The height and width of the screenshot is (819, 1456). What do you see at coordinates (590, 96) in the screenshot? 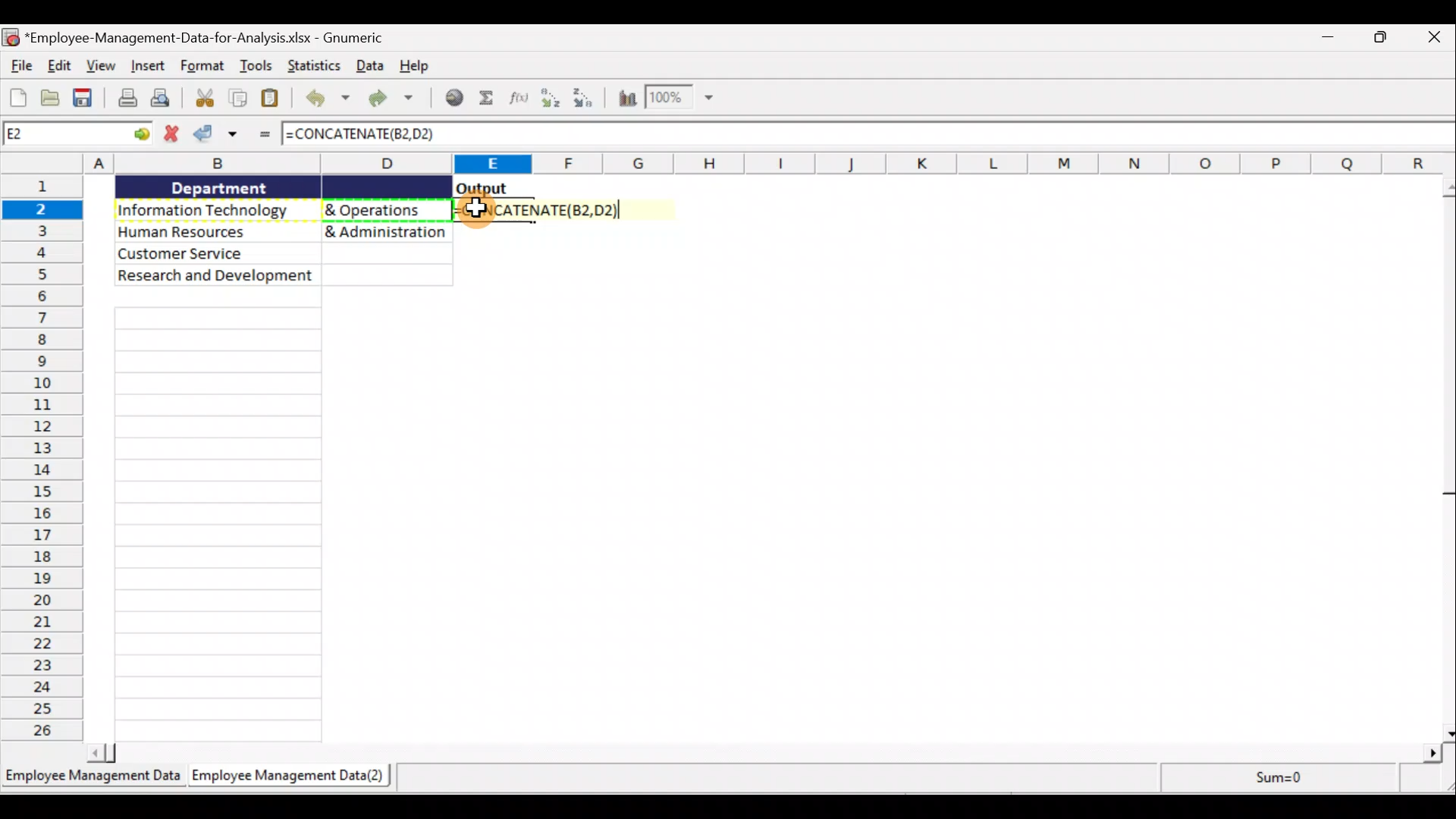
I see `Sort Descending` at bounding box center [590, 96].